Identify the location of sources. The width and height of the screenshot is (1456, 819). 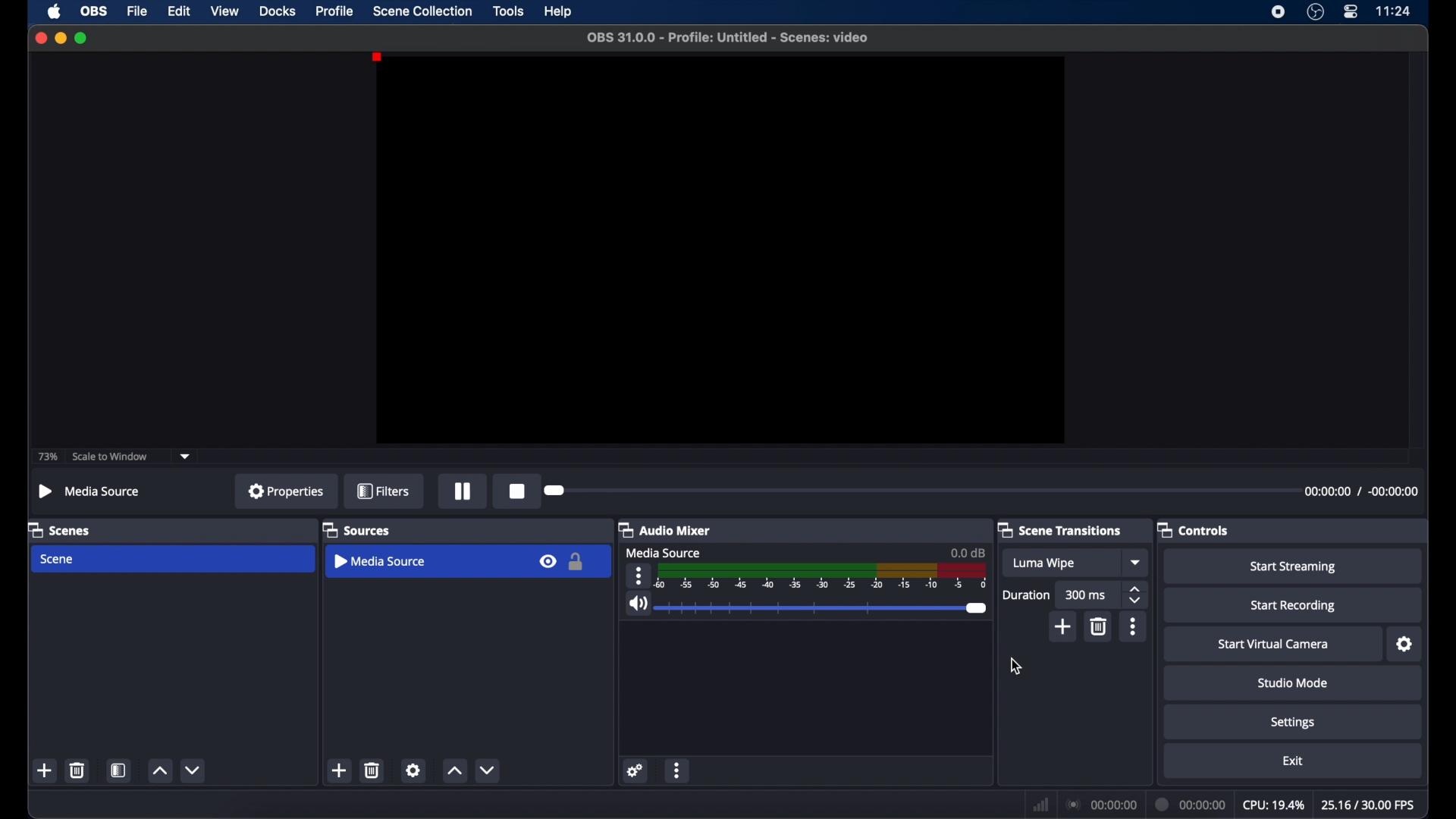
(356, 529).